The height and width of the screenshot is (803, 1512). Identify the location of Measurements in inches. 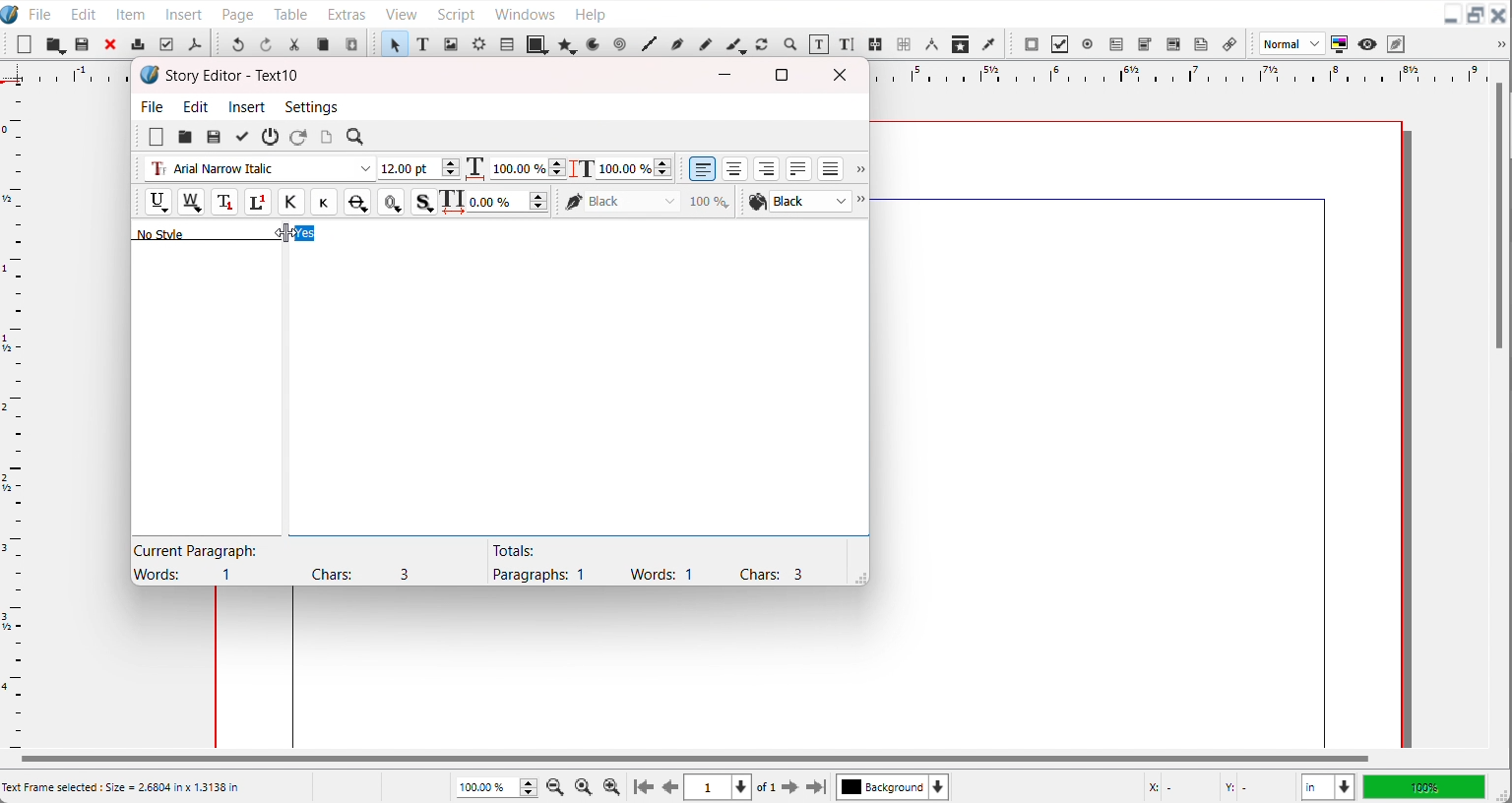
(1328, 787).